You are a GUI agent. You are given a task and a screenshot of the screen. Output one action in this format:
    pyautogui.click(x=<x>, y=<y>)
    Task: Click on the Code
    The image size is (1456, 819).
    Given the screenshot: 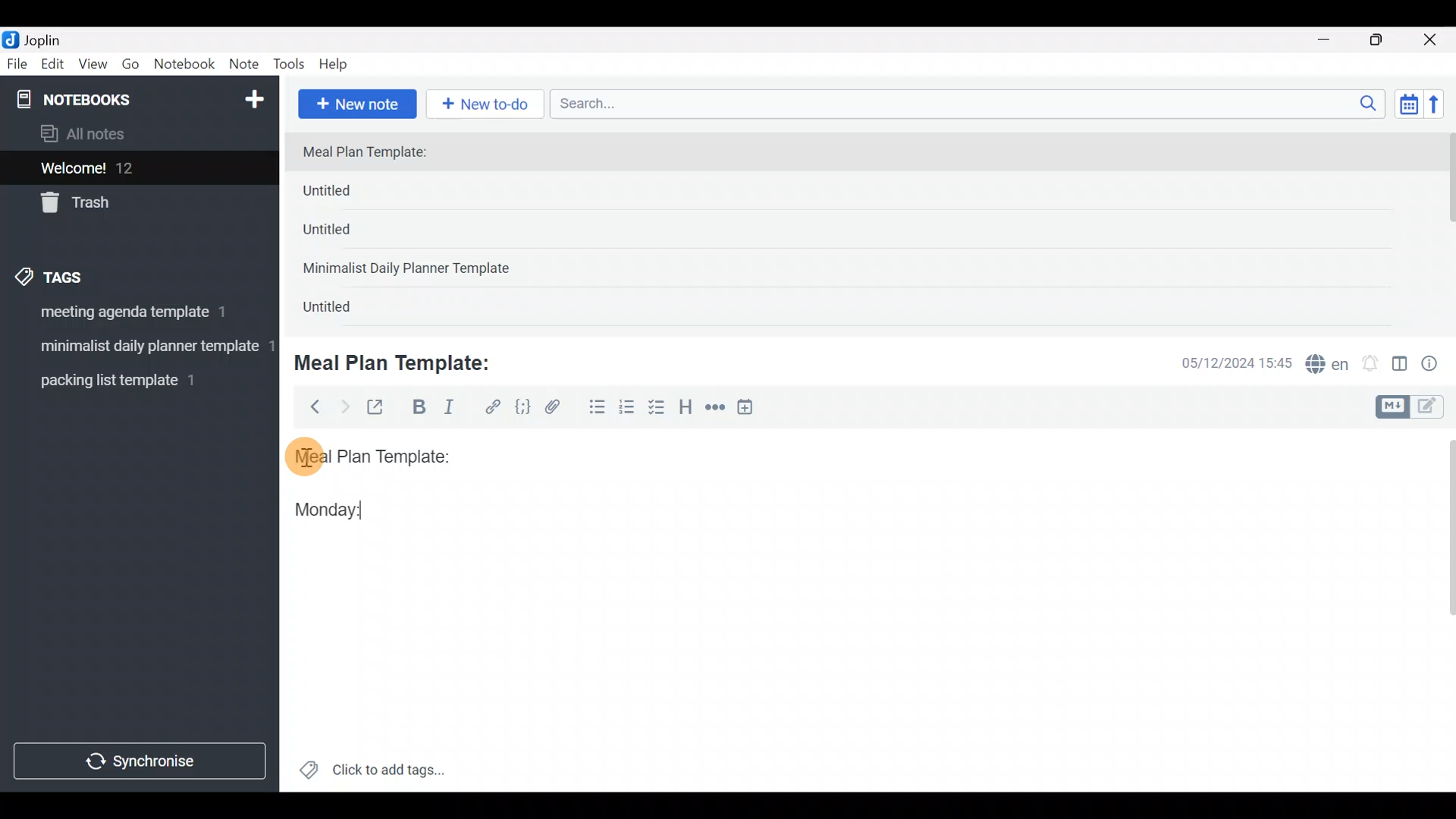 What is the action you would take?
    pyautogui.click(x=521, y=406)
    